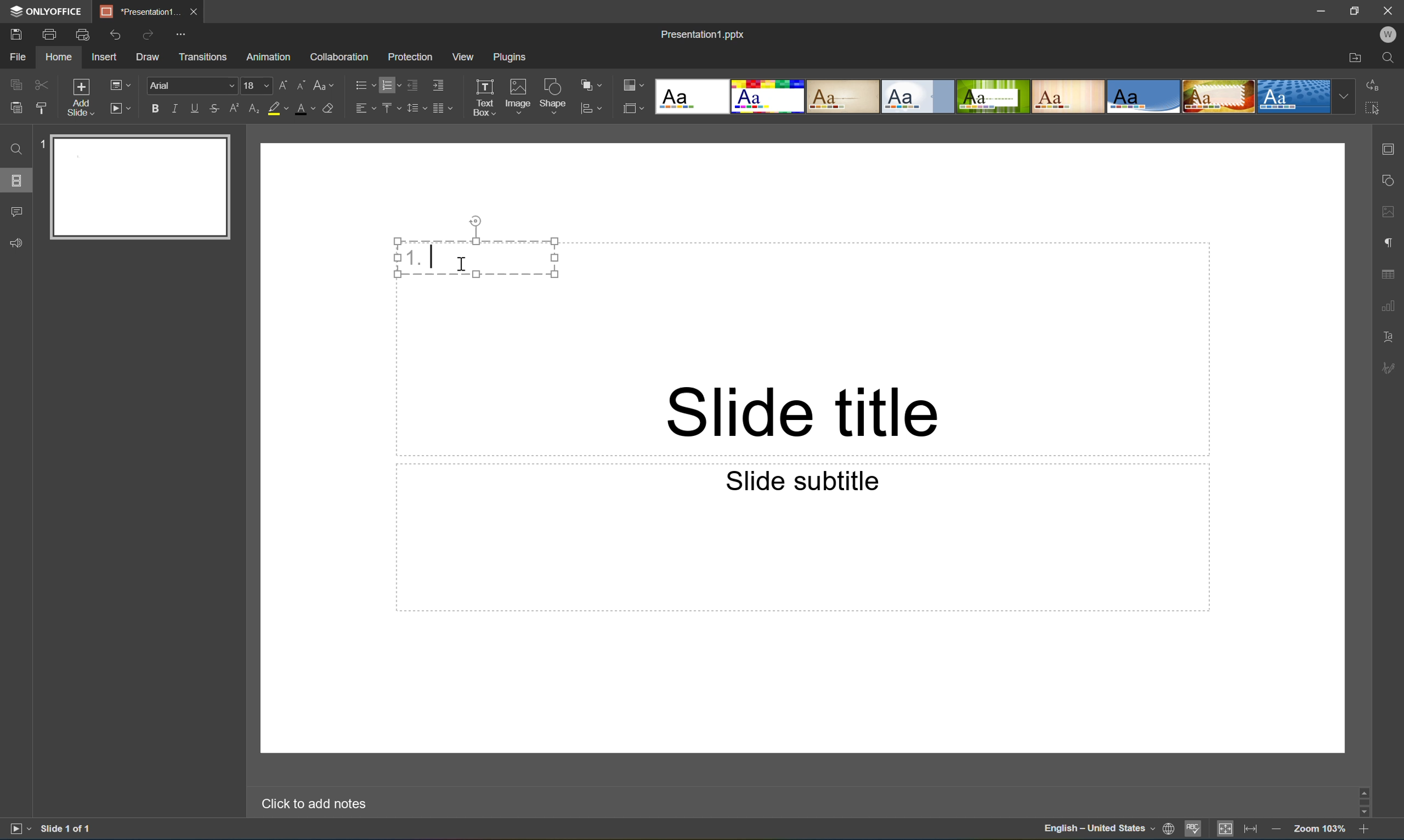  What do you see at coordinates (18, 829) in the screenshot?
I see `Slide show` at bounding box center [18, 829].